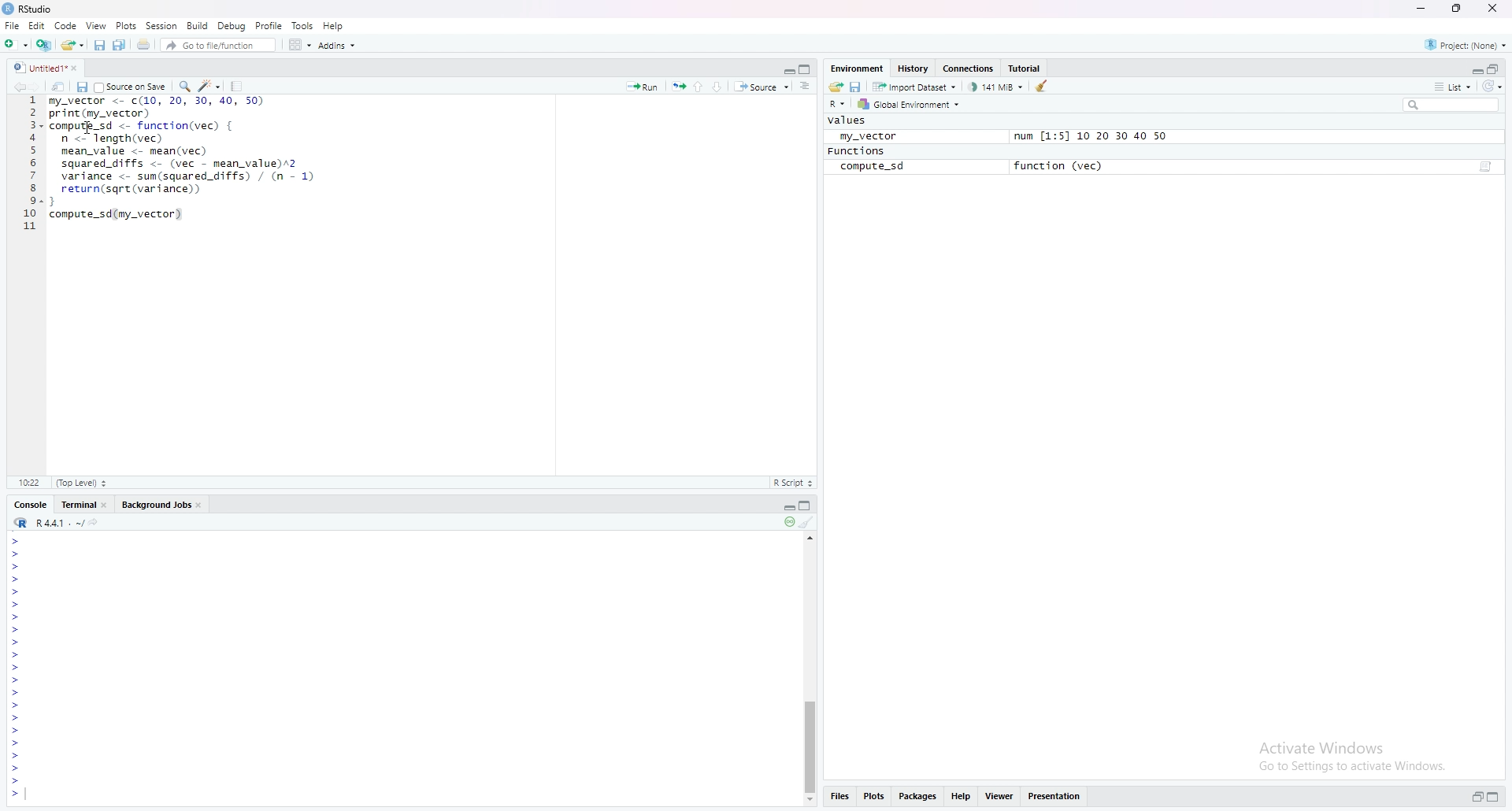  What do you see at coordinates (120, 45) in the screenshot?
I see `Save all open documents (Ctrl + Alt + S)` at bounding box center [120, 45].